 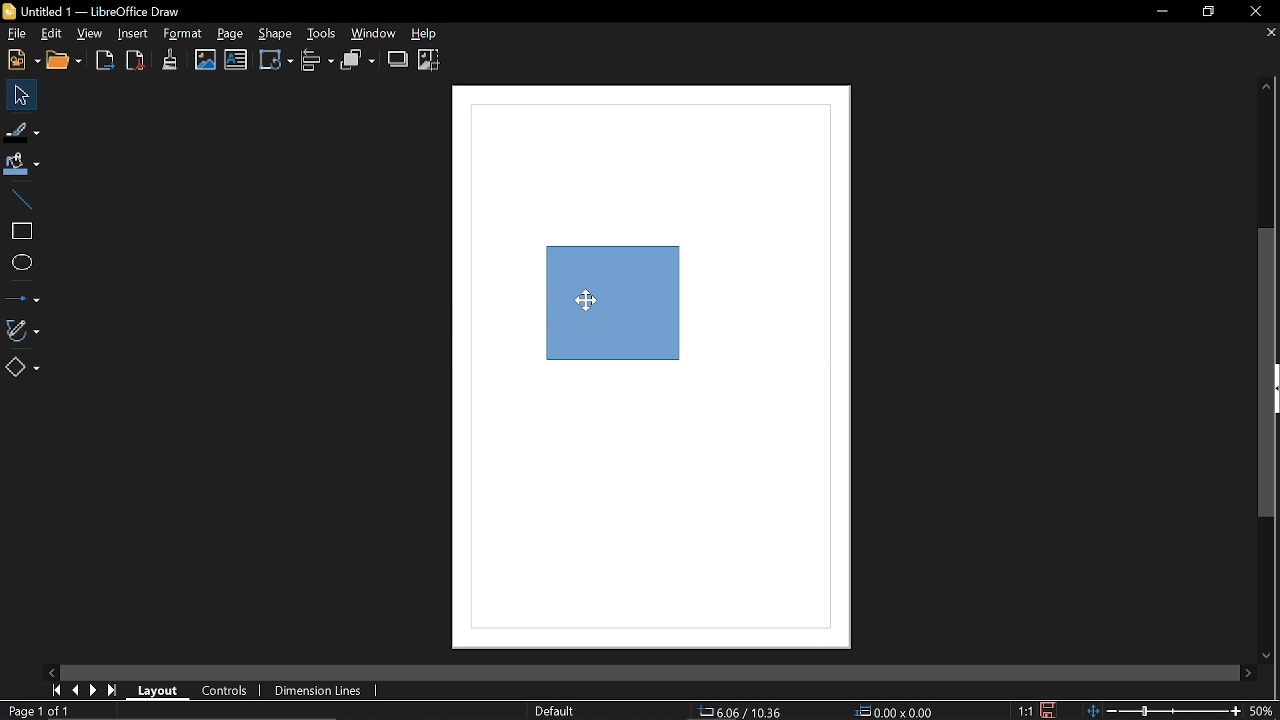 What do you see at coordinates (37, 712) in the screenshot?
I see `Current page` at bounding box center [37, 712].